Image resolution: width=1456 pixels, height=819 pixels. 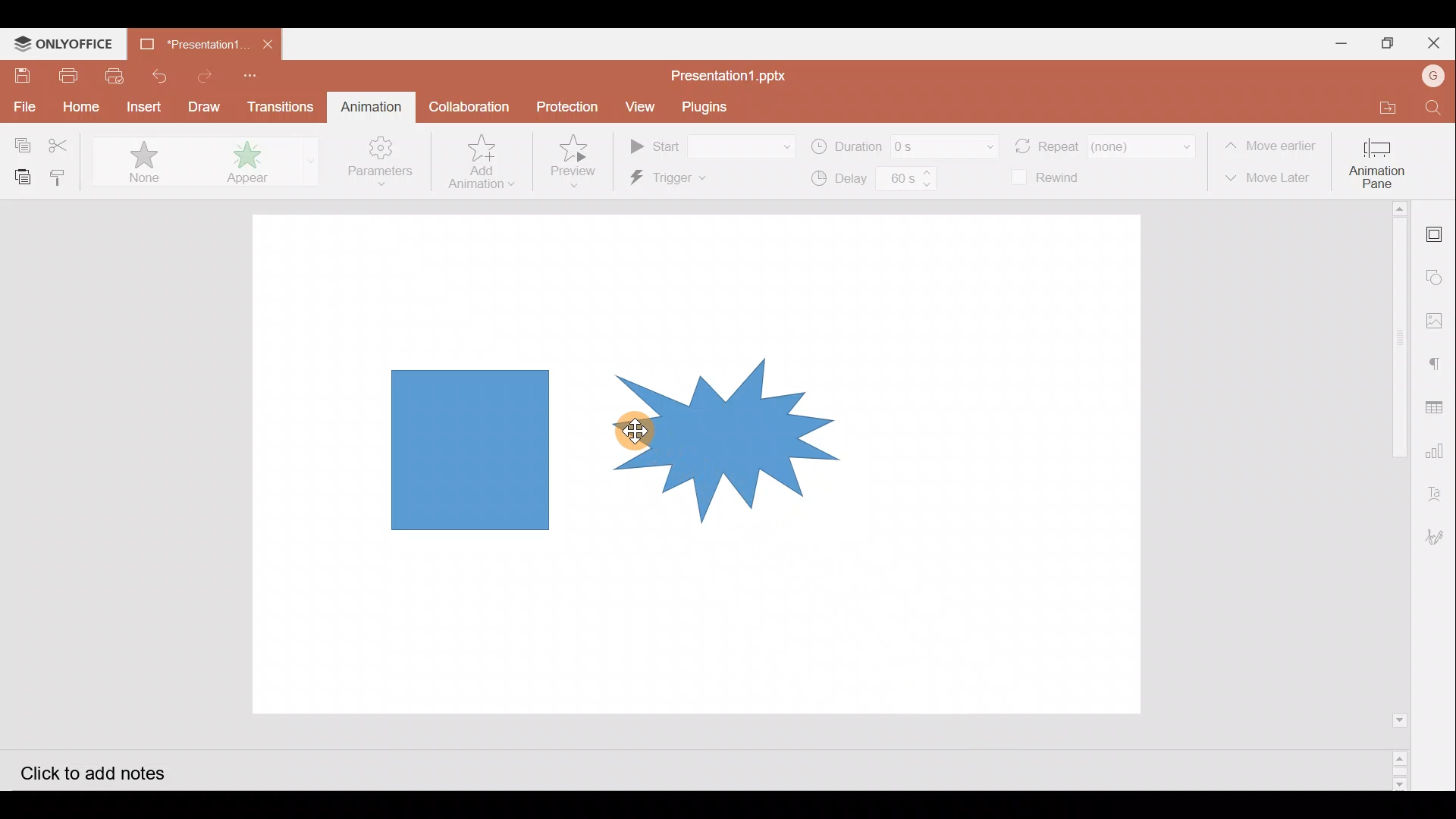 What do you see at coordinates (1433, 109) in the screenshot?
I see `Find` at bounding box center [1433, 109].